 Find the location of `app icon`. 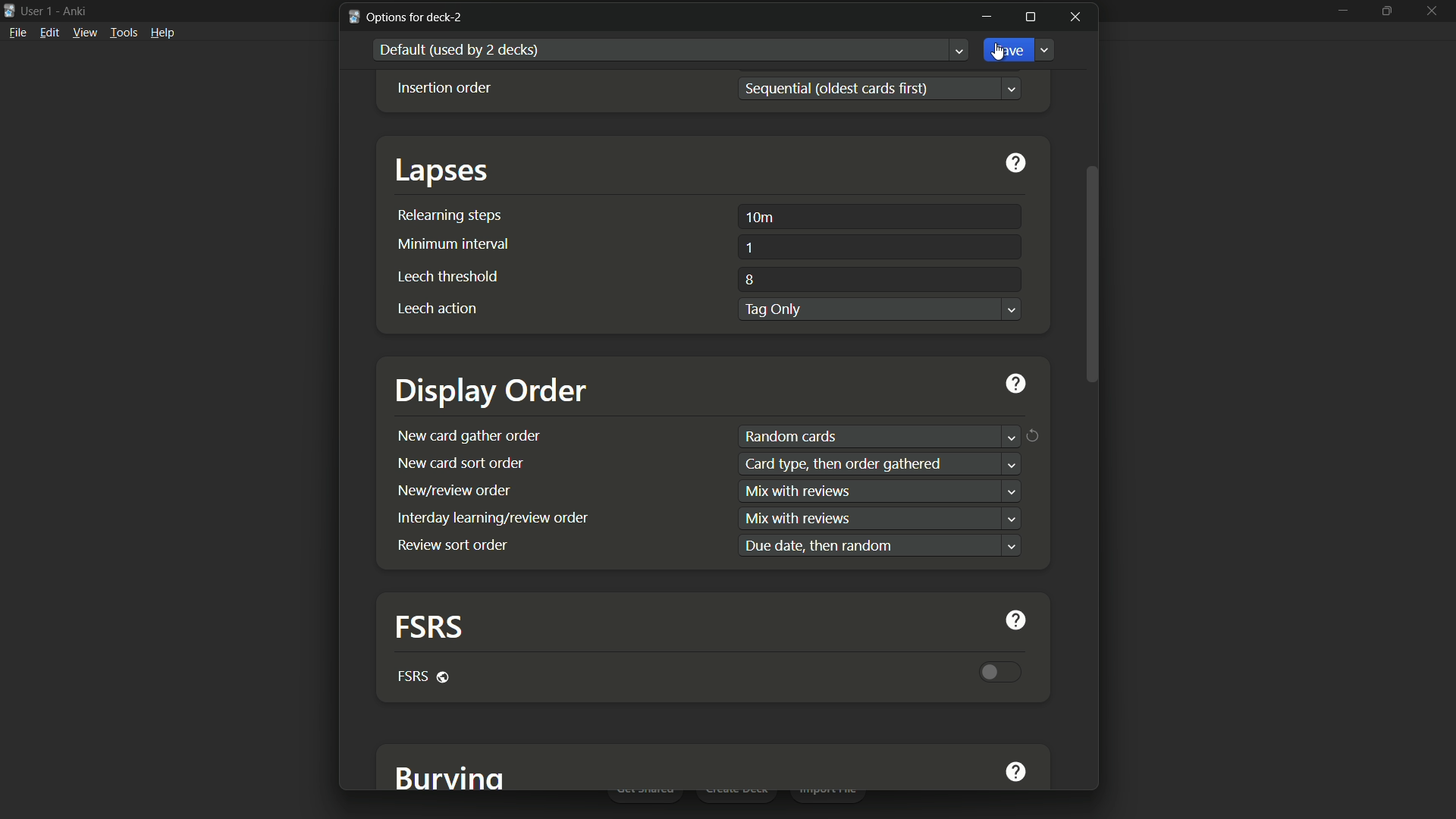

app icon is located at coordinates (9, 10).